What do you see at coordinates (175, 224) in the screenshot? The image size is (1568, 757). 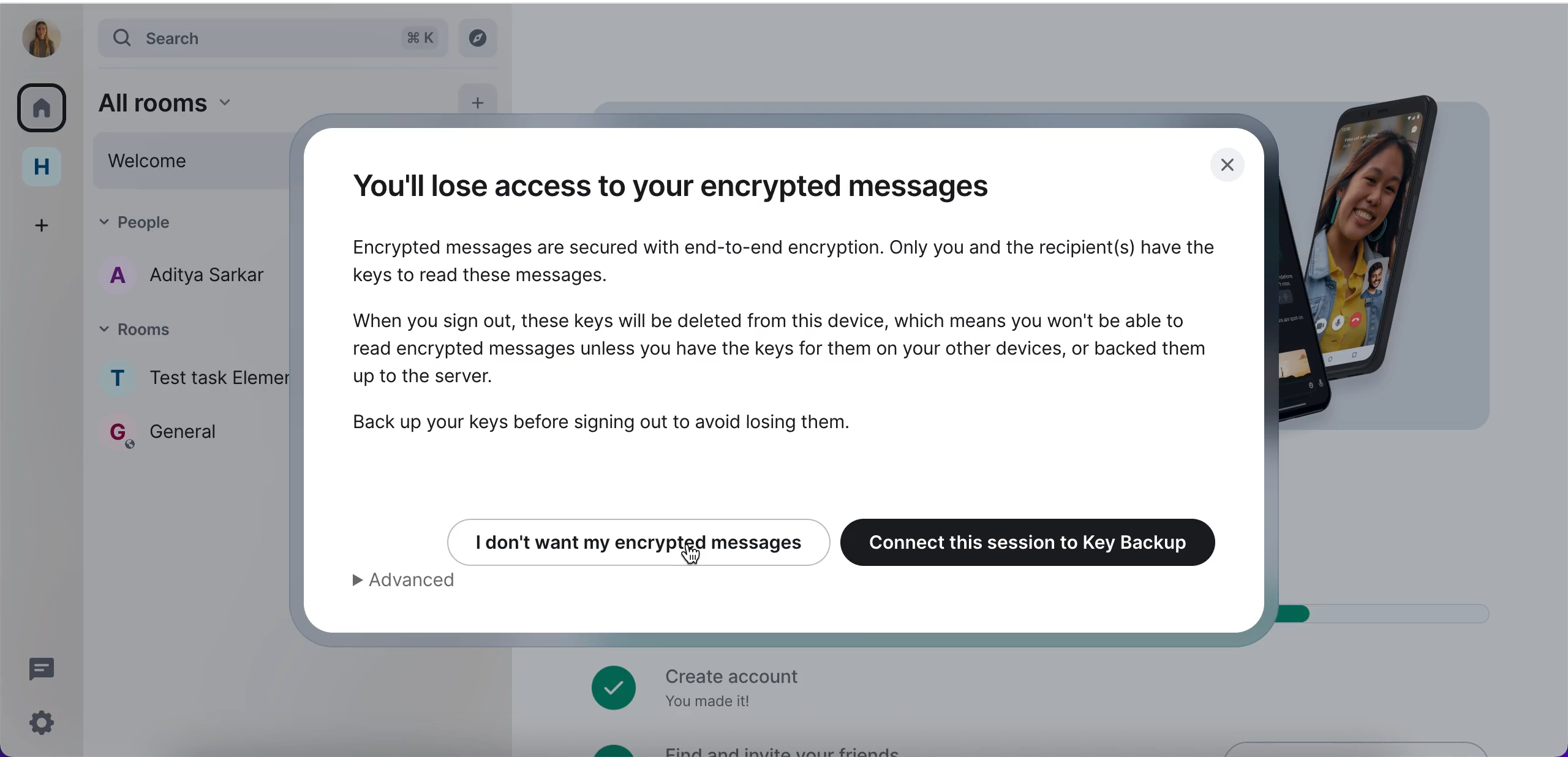 I see `people` at bounding box center [175, 224].